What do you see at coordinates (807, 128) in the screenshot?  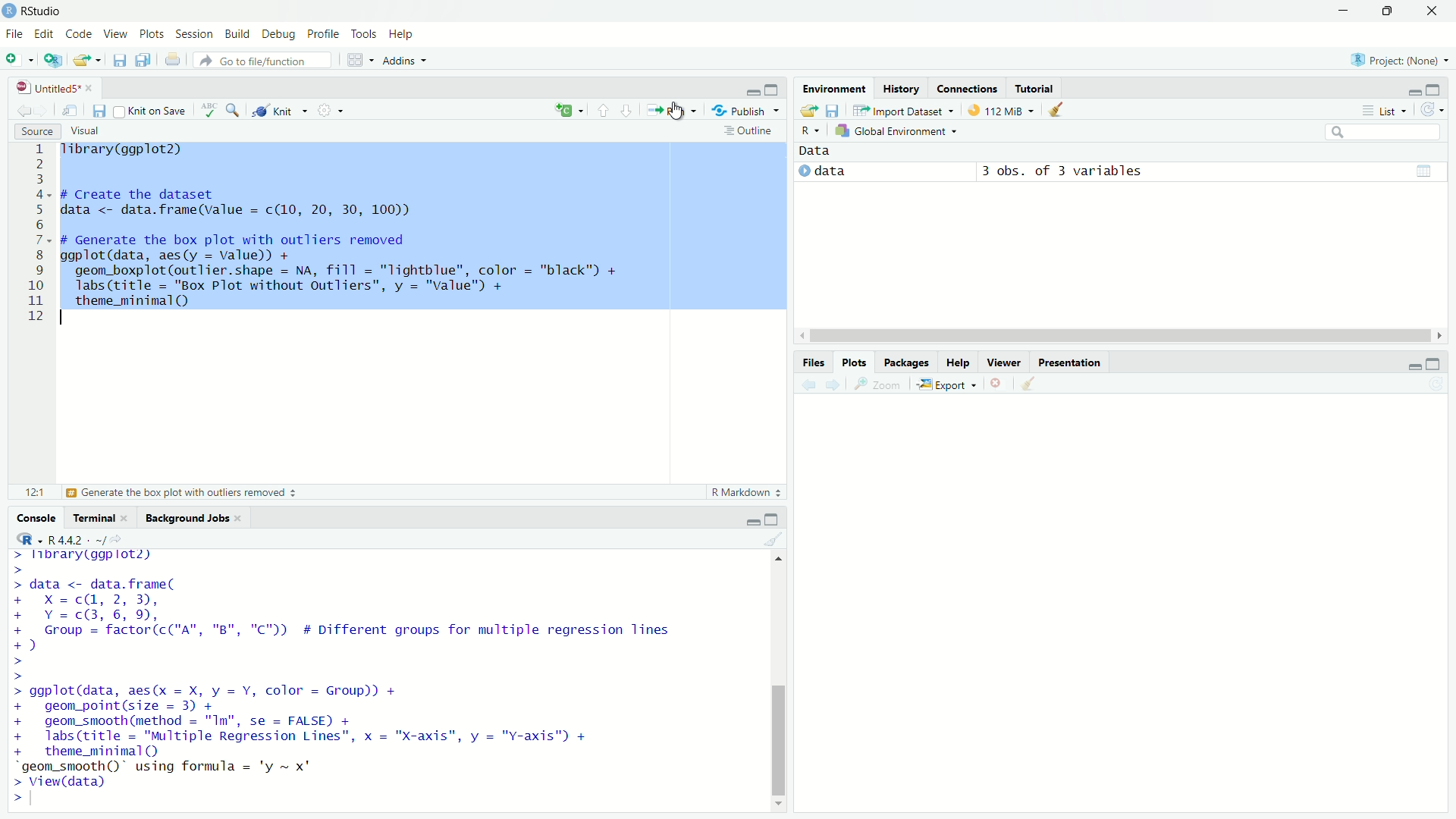 I see `R` at bounding box center [807, 128].